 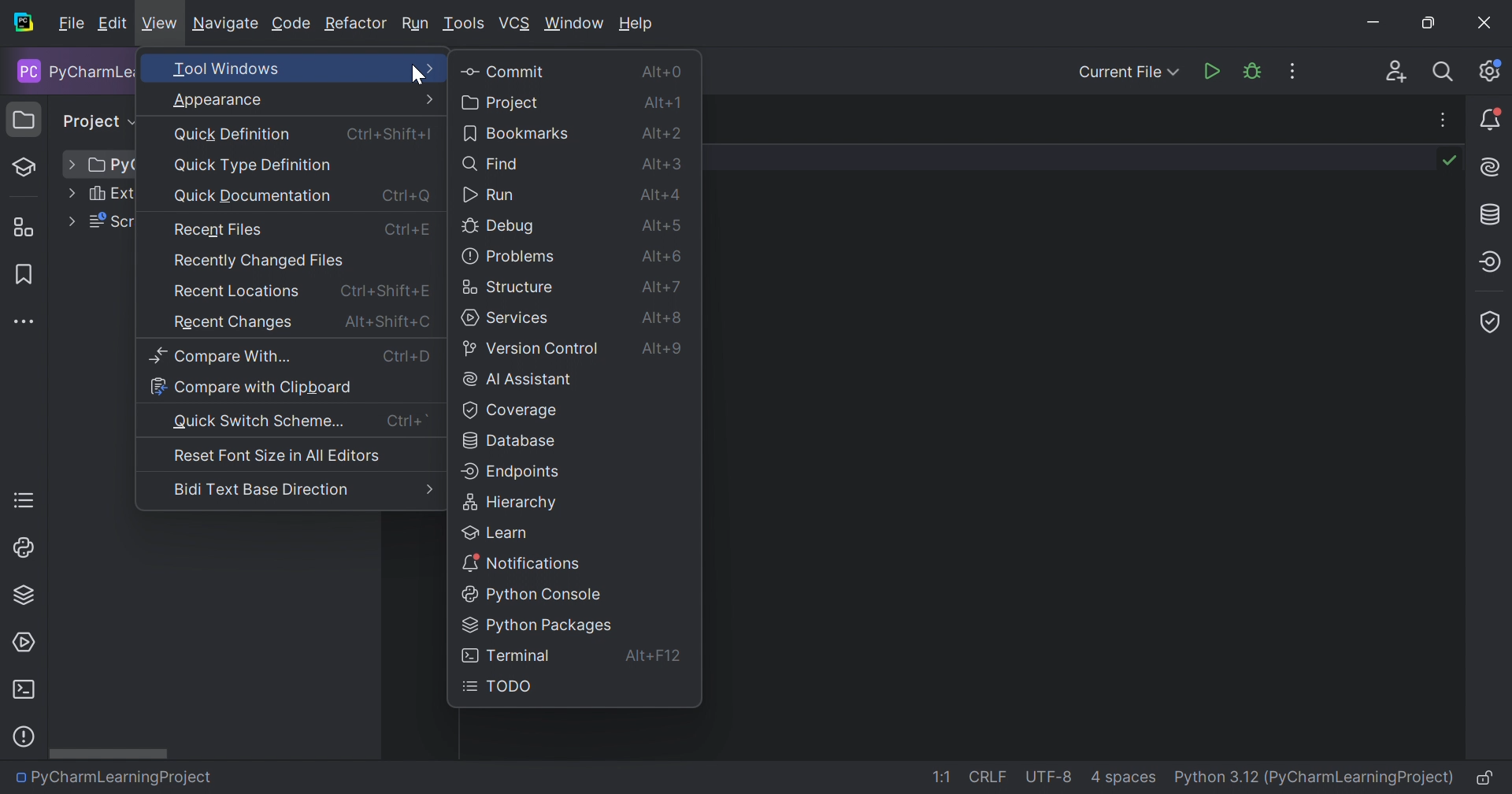 I want to click on Recently Changed Files, so click(x=259, y=261).